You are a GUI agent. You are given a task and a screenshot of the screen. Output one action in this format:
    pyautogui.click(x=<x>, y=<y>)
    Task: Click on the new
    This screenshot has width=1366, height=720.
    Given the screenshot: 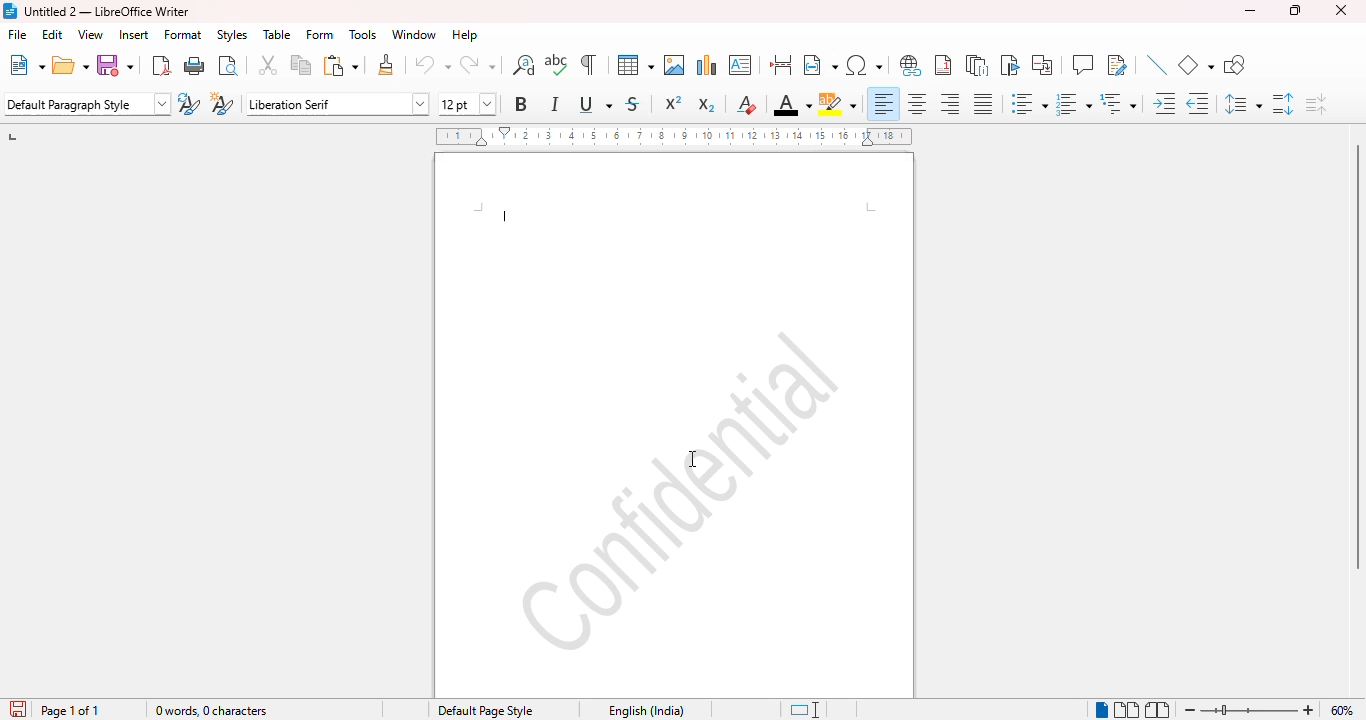 What is the action you would take?
    pyautogui.click(x=27, y=65)
    